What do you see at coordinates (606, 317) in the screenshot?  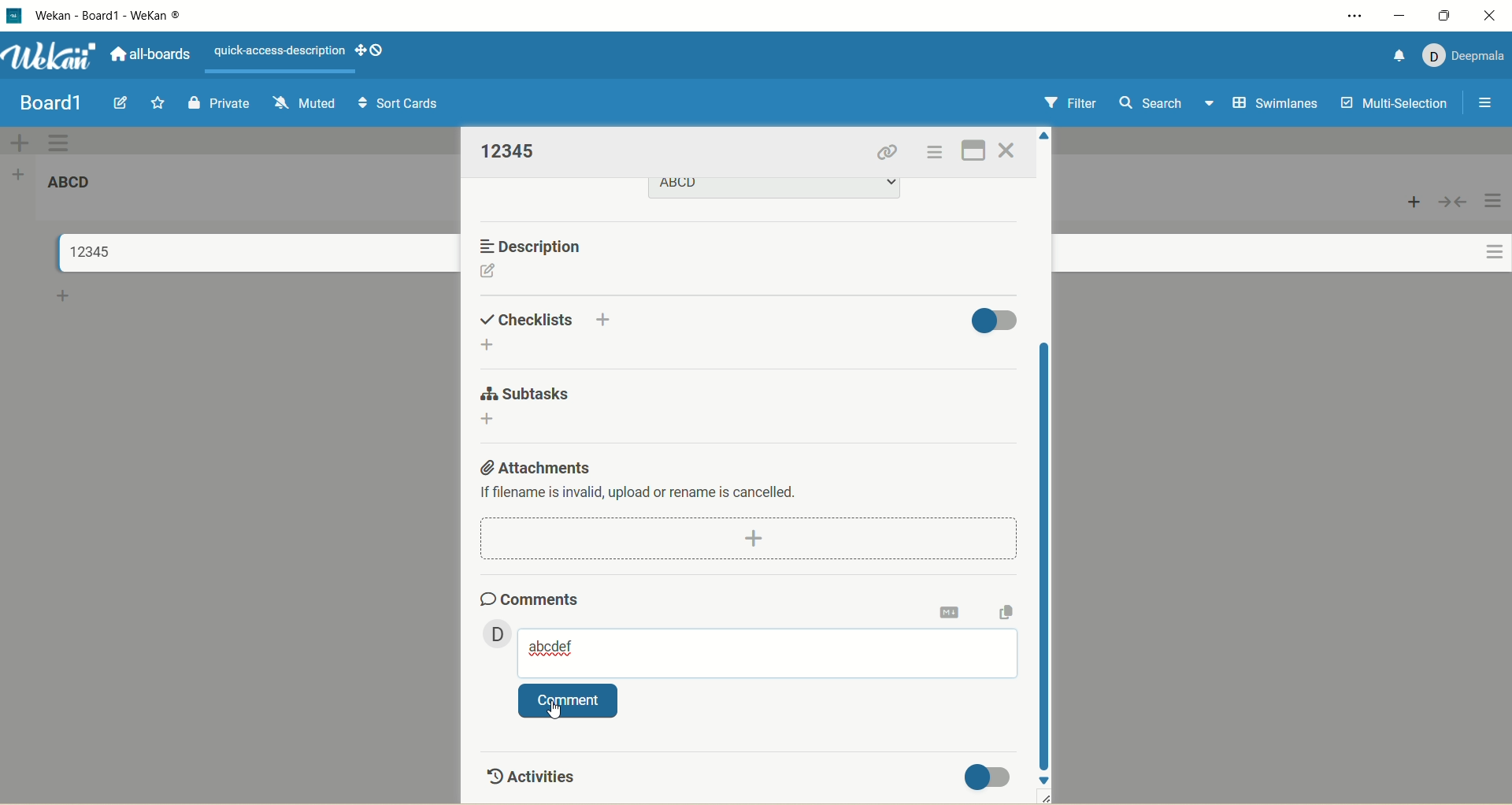 I see `add` at bounding box center [606, 317].